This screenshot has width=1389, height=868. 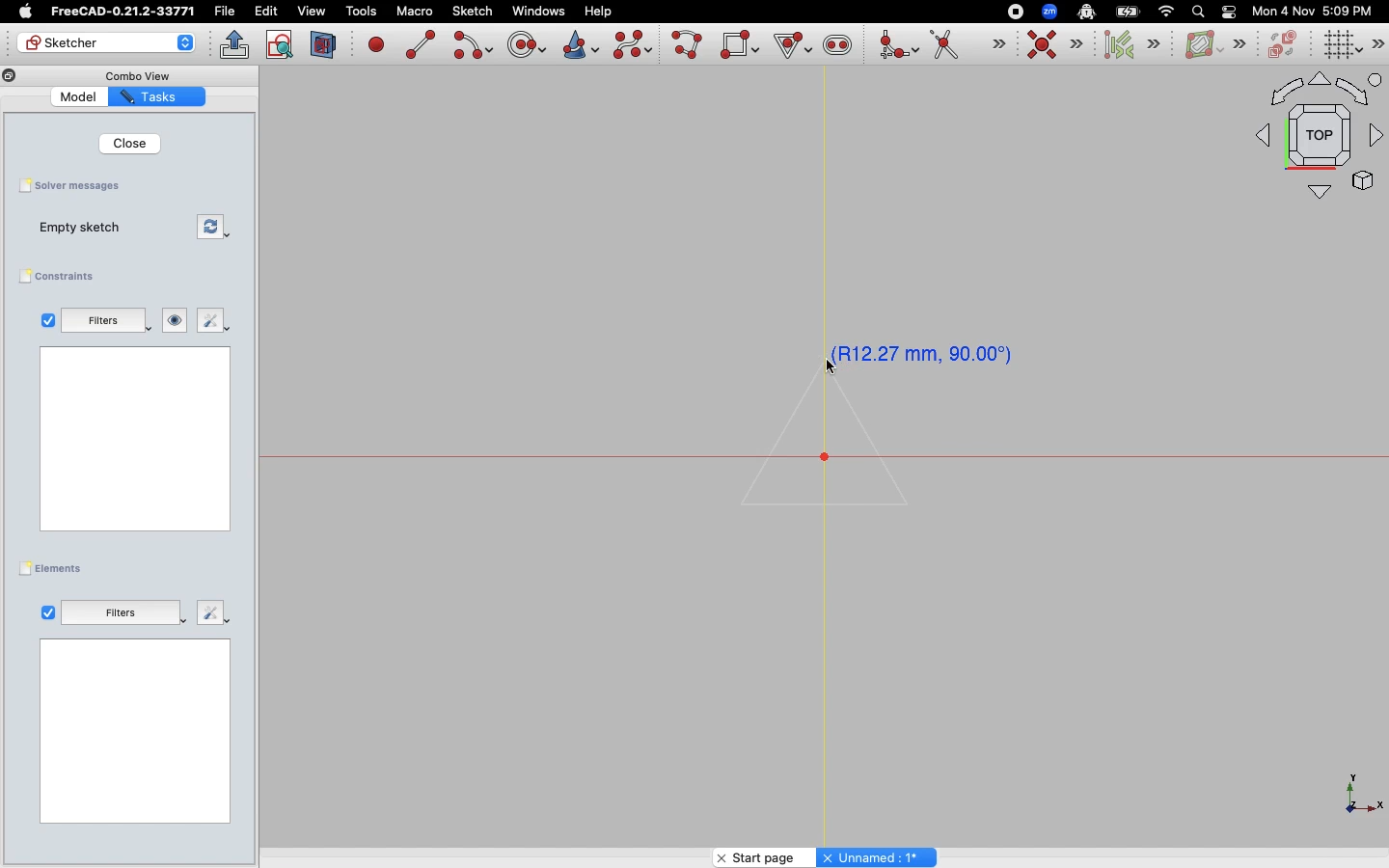 What do you see at coordinates (1350, 795) in the screenshot?
I see `X Y Z` at bounding box center [1350, 795].